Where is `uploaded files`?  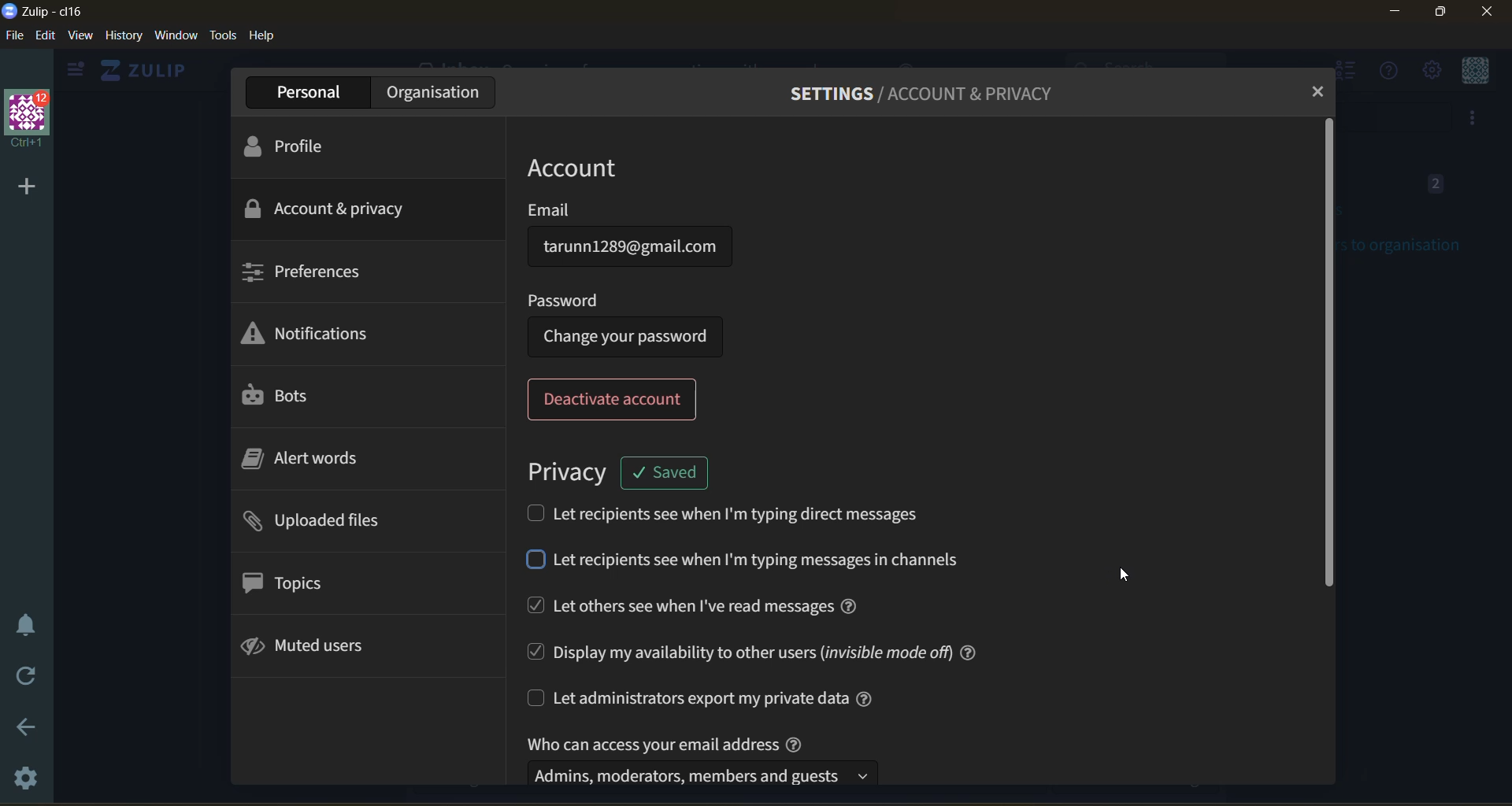
uploaded files is located at coordinates (319, 524).